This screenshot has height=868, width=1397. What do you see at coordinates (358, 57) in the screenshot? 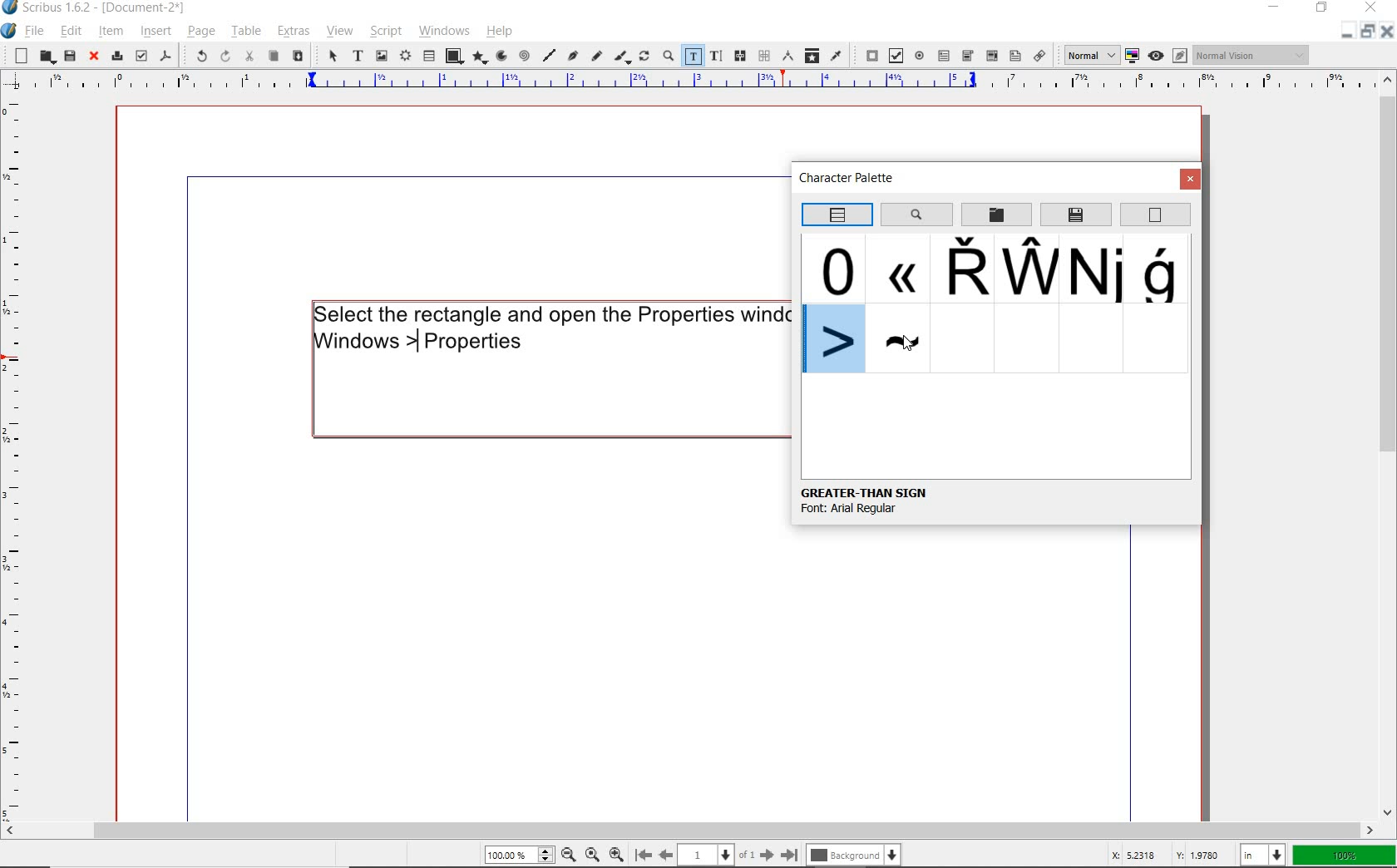
I see `text frame` at bounding box center [358, 57].